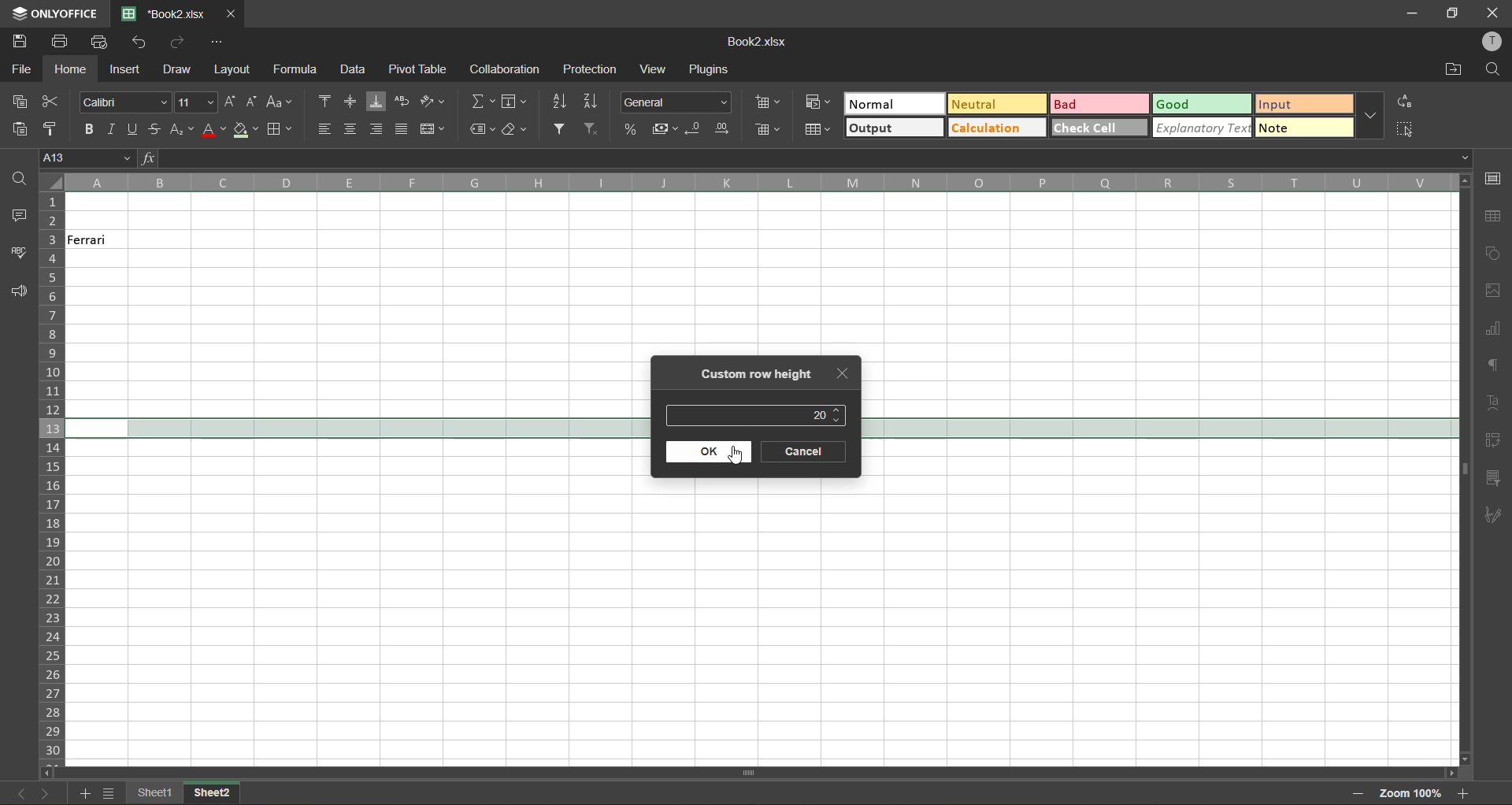 Image resolution: width=1512 pixels, height=805 pixels. Describe the element at coordinates (806, 452) in the screenshot. I see `cancel` at that location.